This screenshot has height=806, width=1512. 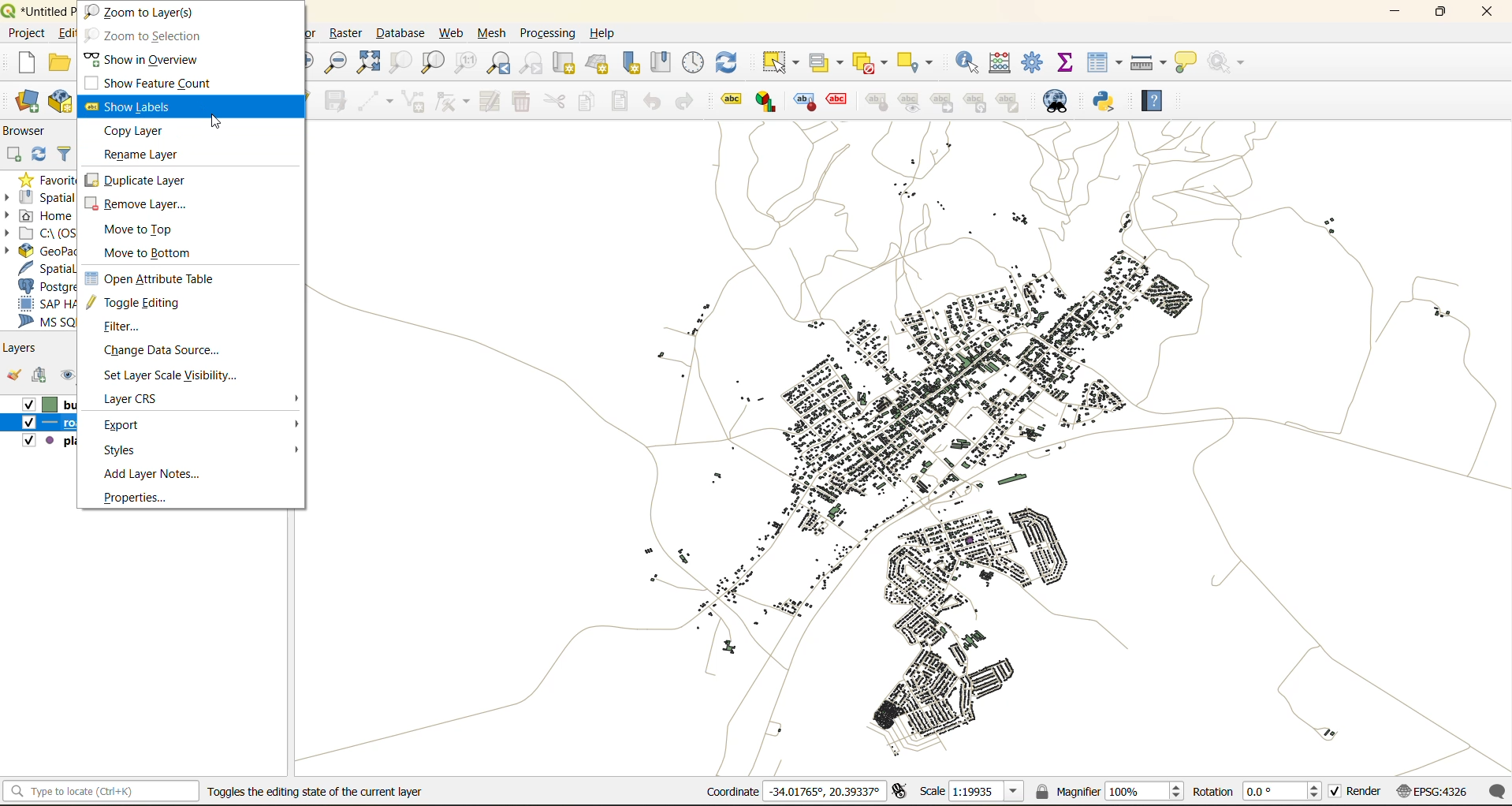 What do you see at coordinates (977, 101) in the screenshot?
I see `rotate a label` at bounding box center [977, 101].